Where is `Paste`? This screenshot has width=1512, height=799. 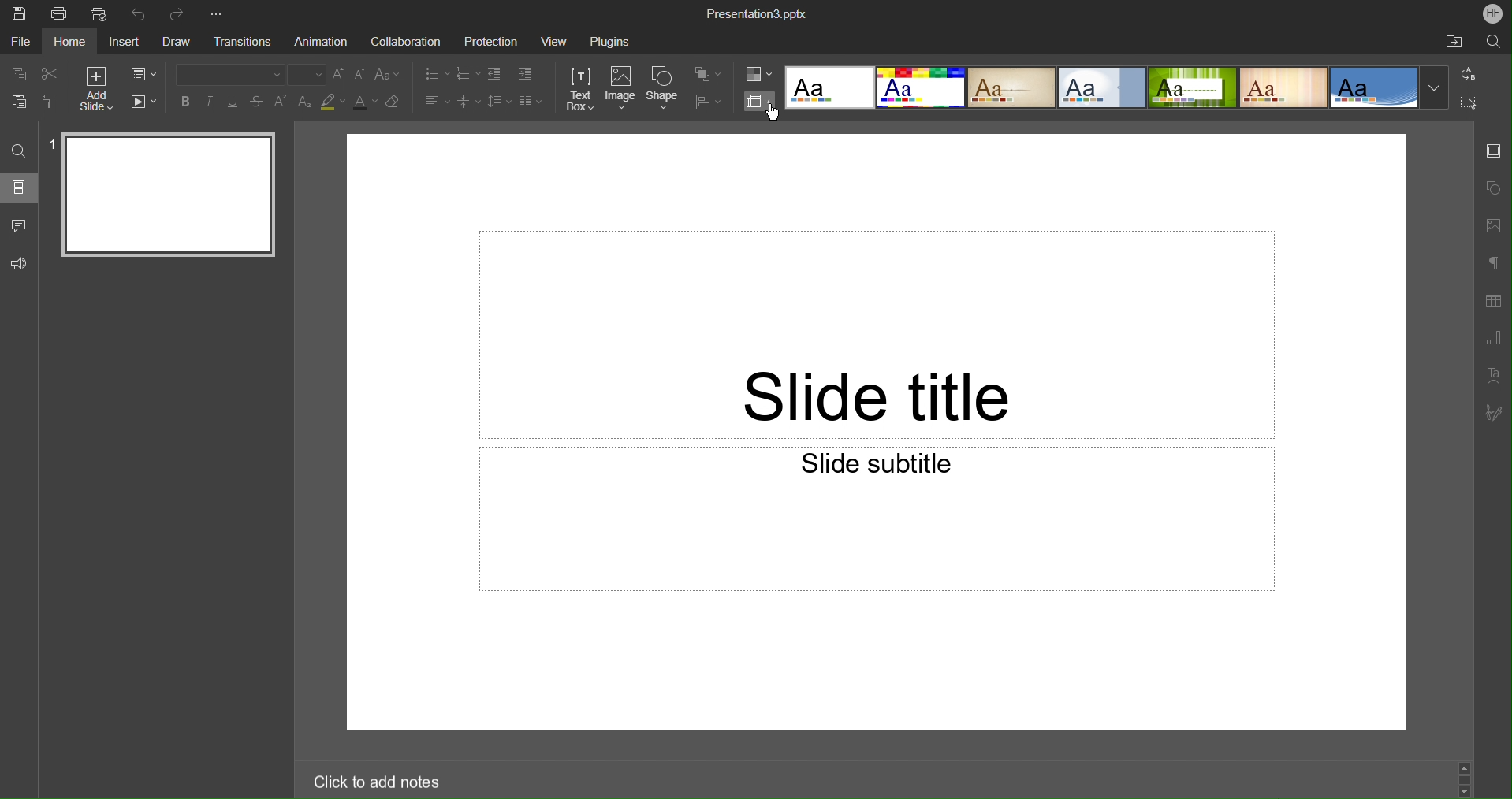 Paste is located at coordinates (16, 102).